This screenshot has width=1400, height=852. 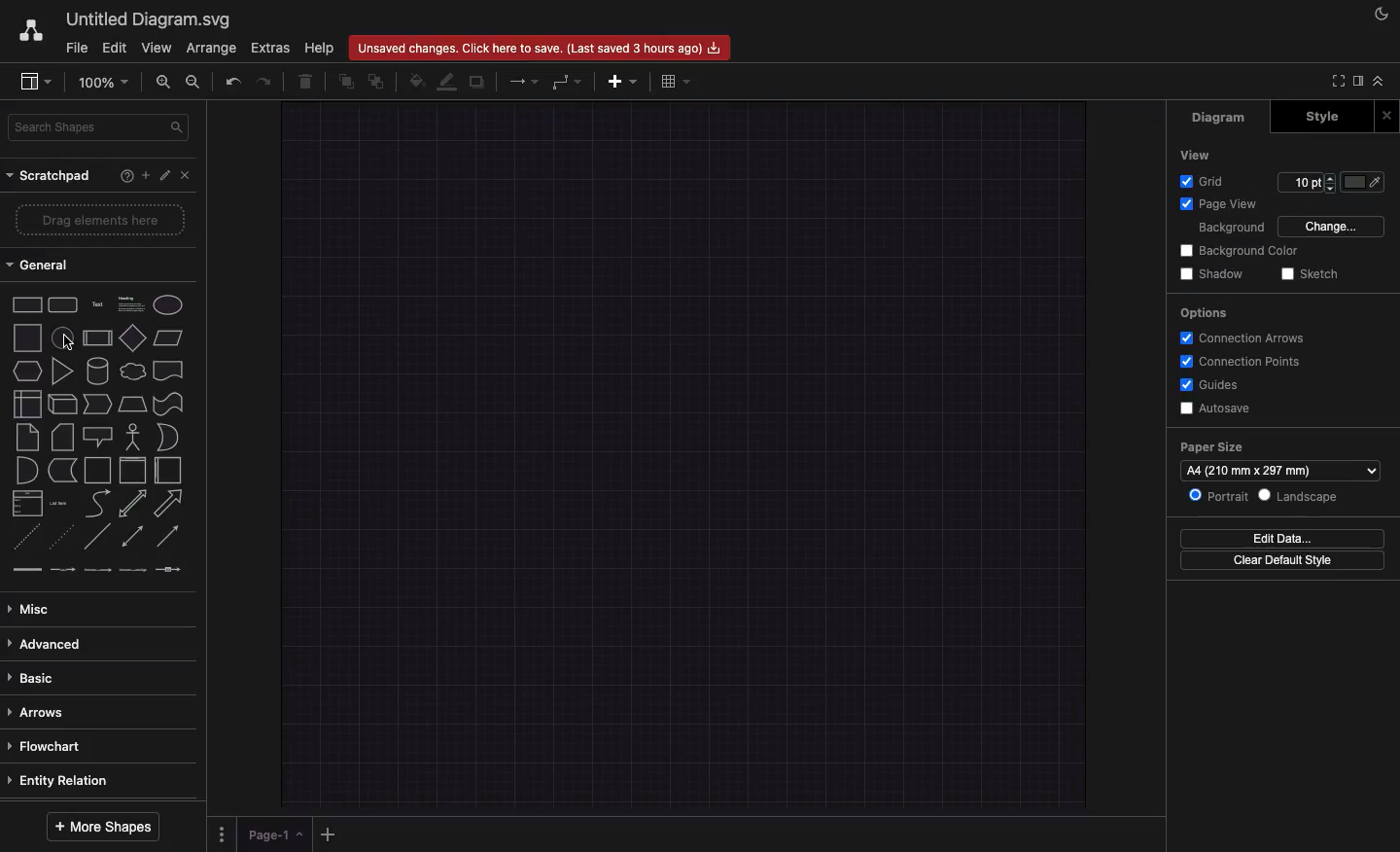 What do you see at coordinates (1363, 82) in the screenshot?
I see `Sidebar` at bounding box center [1363, 82].